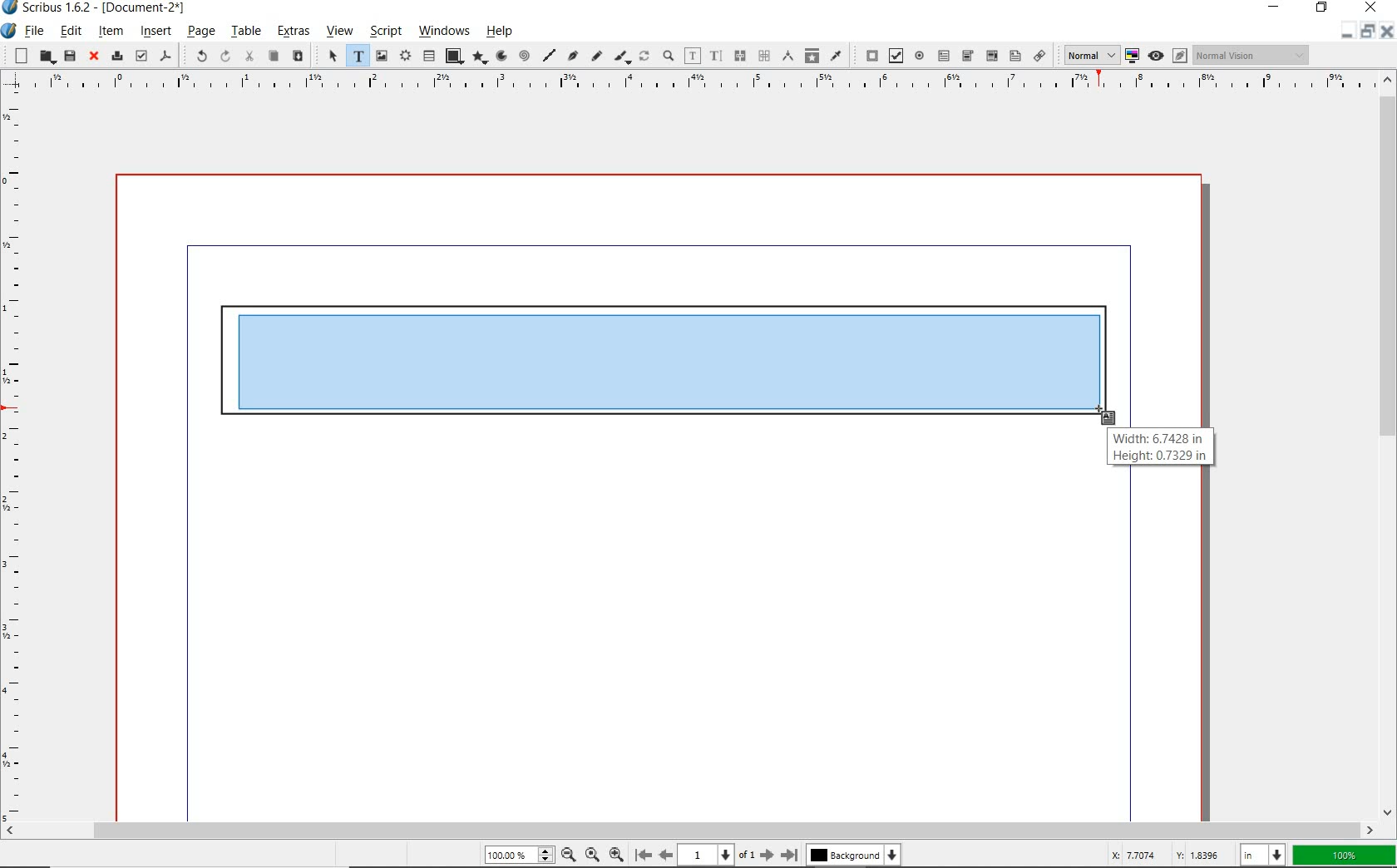  What do you see at coordinates (623, 57) in the screenshot?
I see `calligraphic line` at bounding box center [623, 57].